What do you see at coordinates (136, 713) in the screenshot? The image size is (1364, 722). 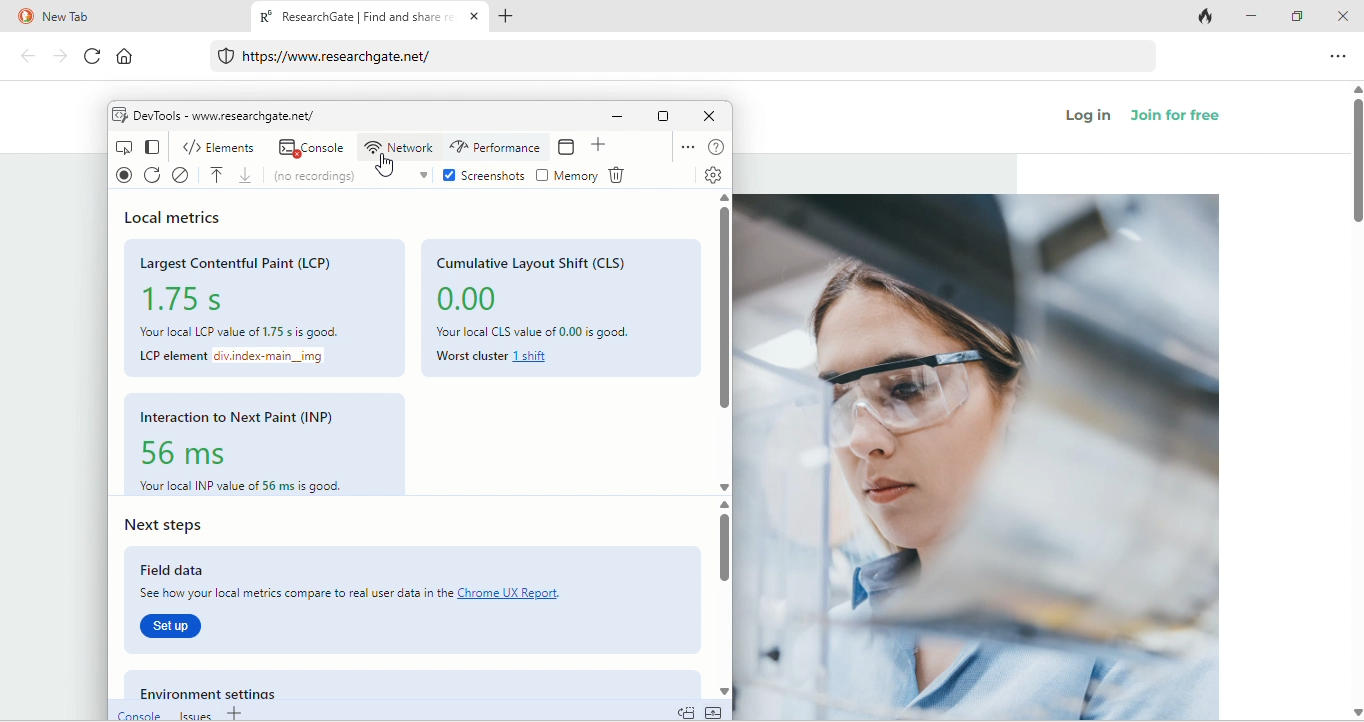 I see `console` at bounding box center [136, 713].